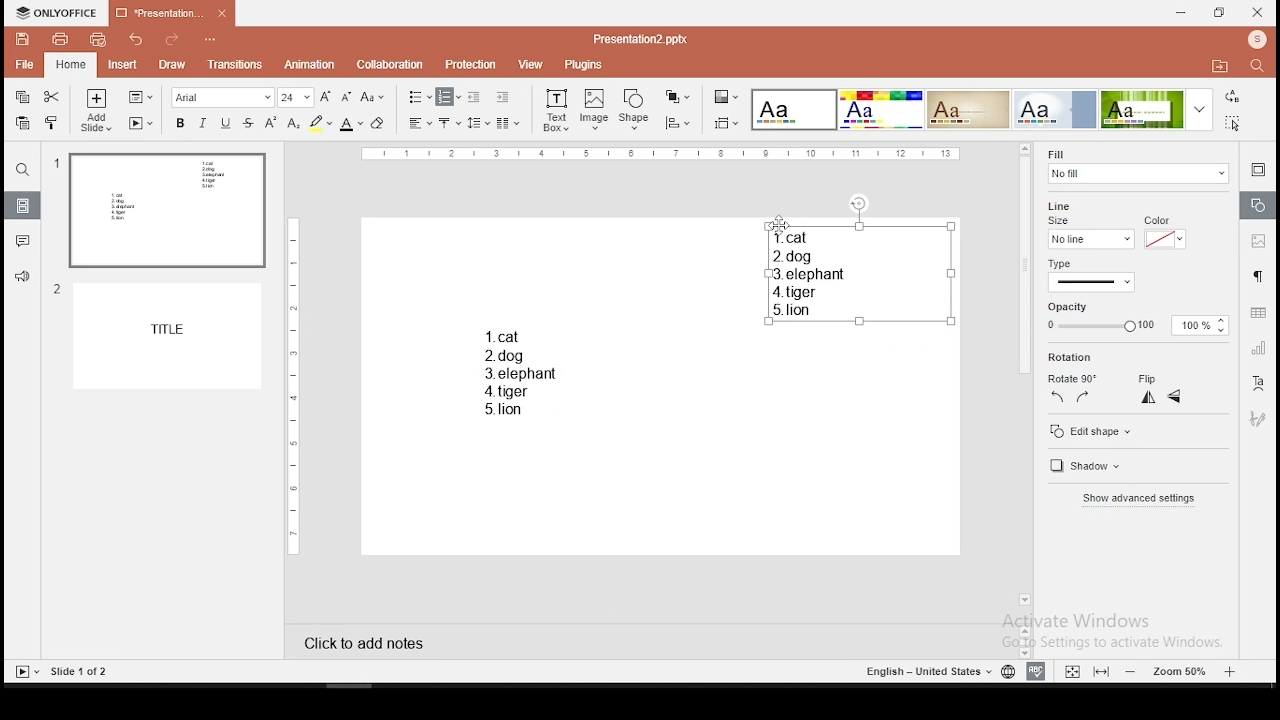  I want to click on increase indent, so click(503, 96).